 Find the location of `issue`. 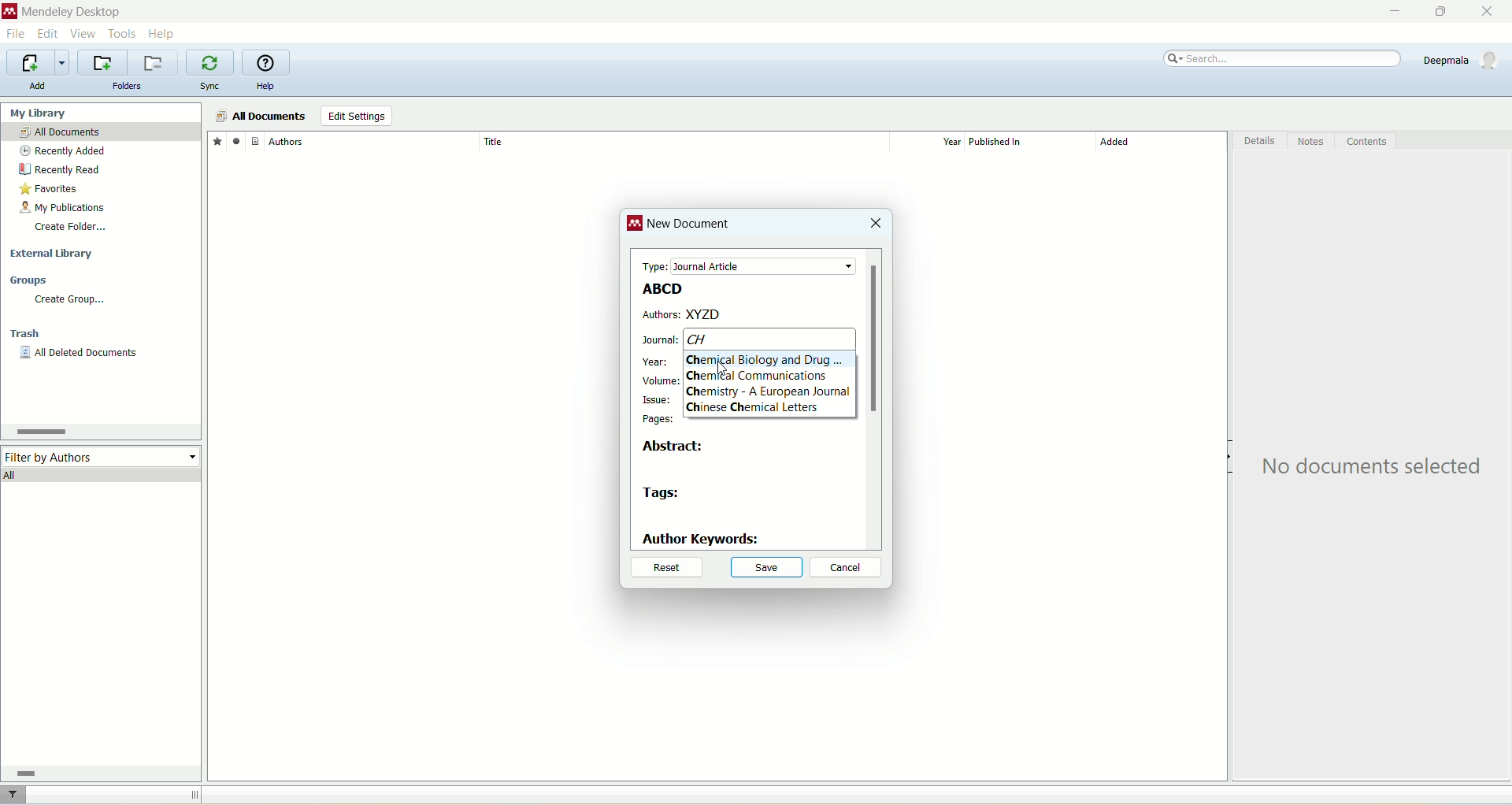

issue is located at coordinates (658, 402).